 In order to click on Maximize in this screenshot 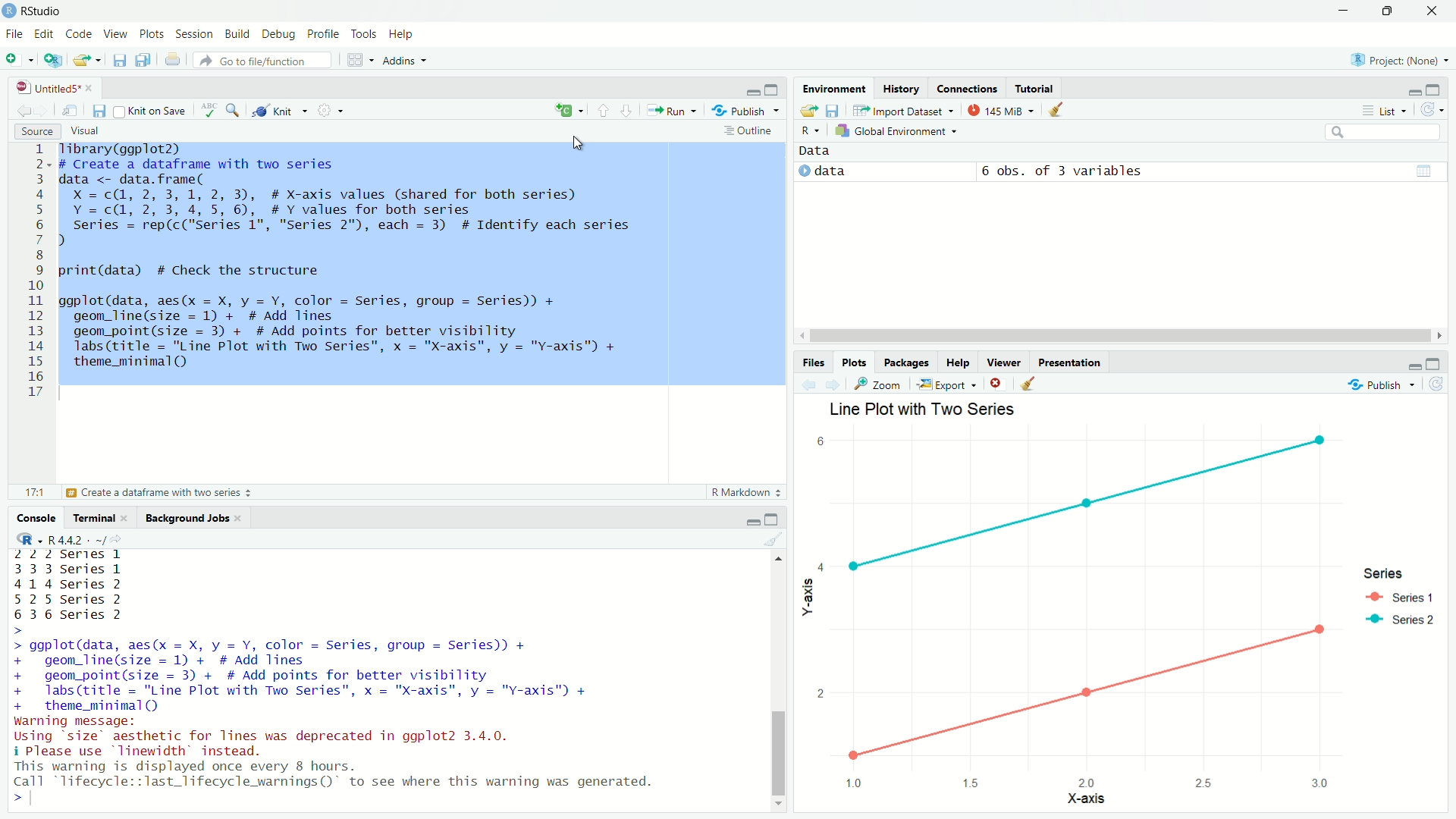, I will do `click(1436, 90)`.